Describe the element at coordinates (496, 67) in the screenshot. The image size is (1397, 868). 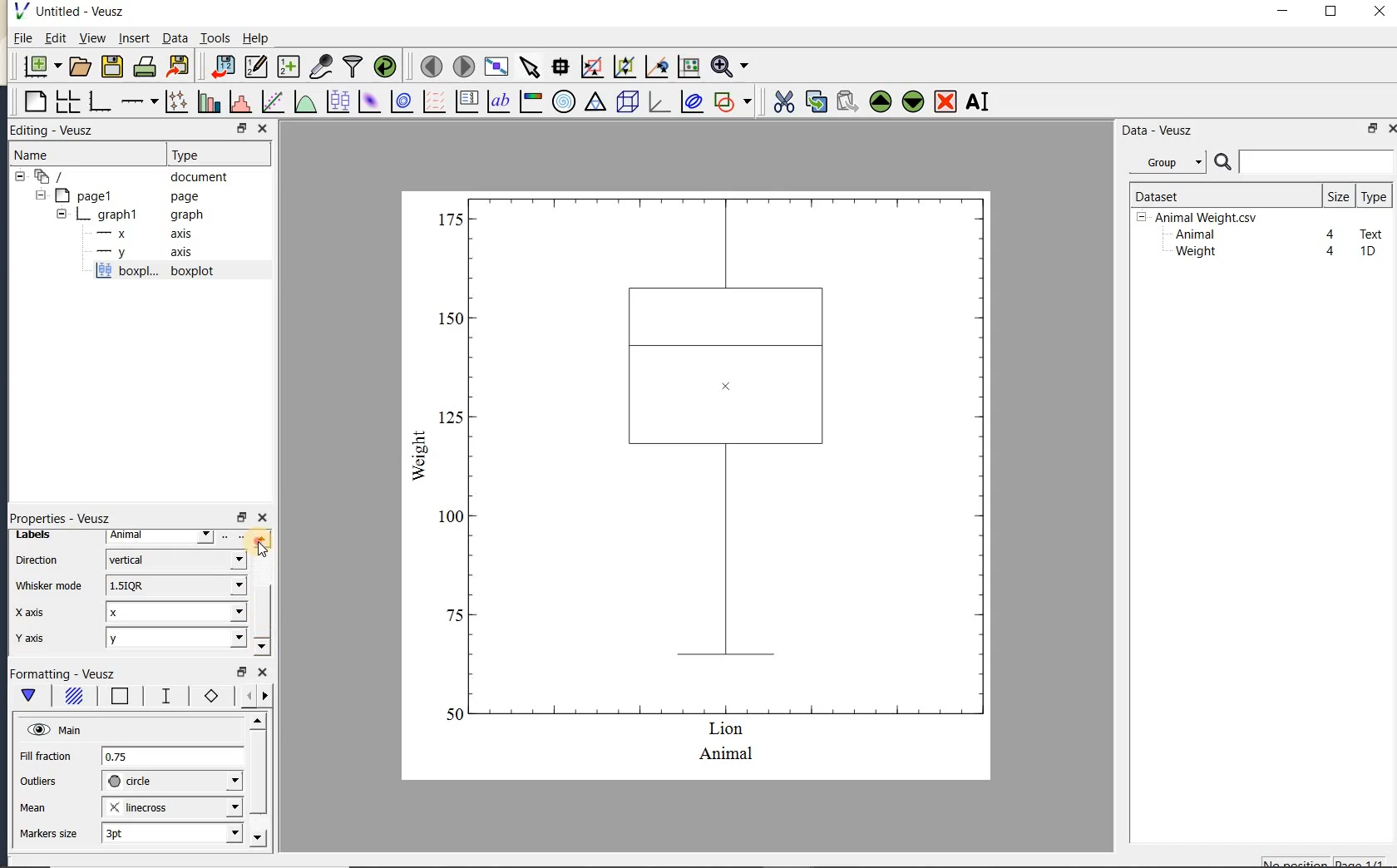
I see `view plot full screen` at that location.